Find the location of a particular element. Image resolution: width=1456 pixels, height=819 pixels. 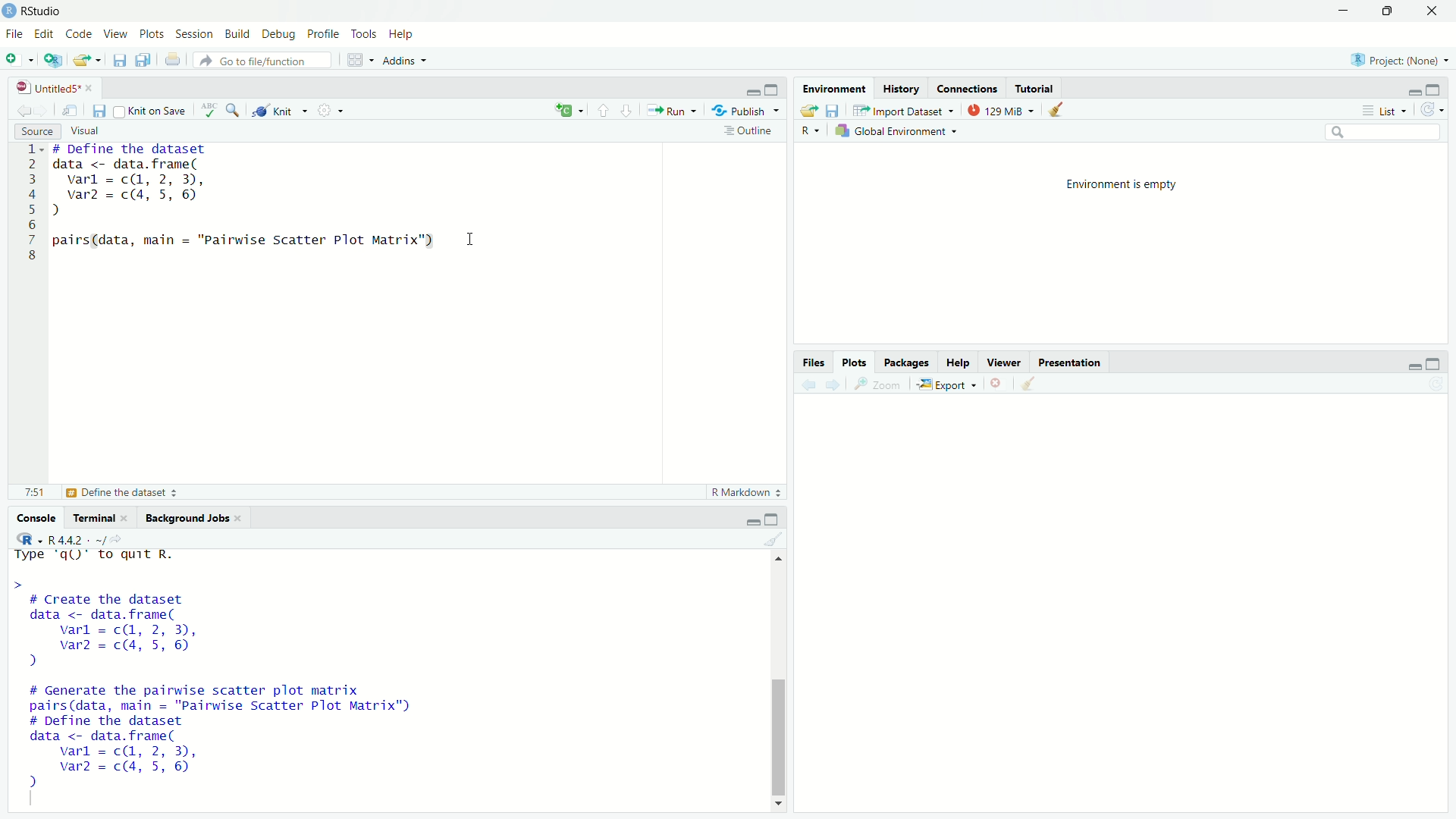

Down is located at coordinates (780, 802).